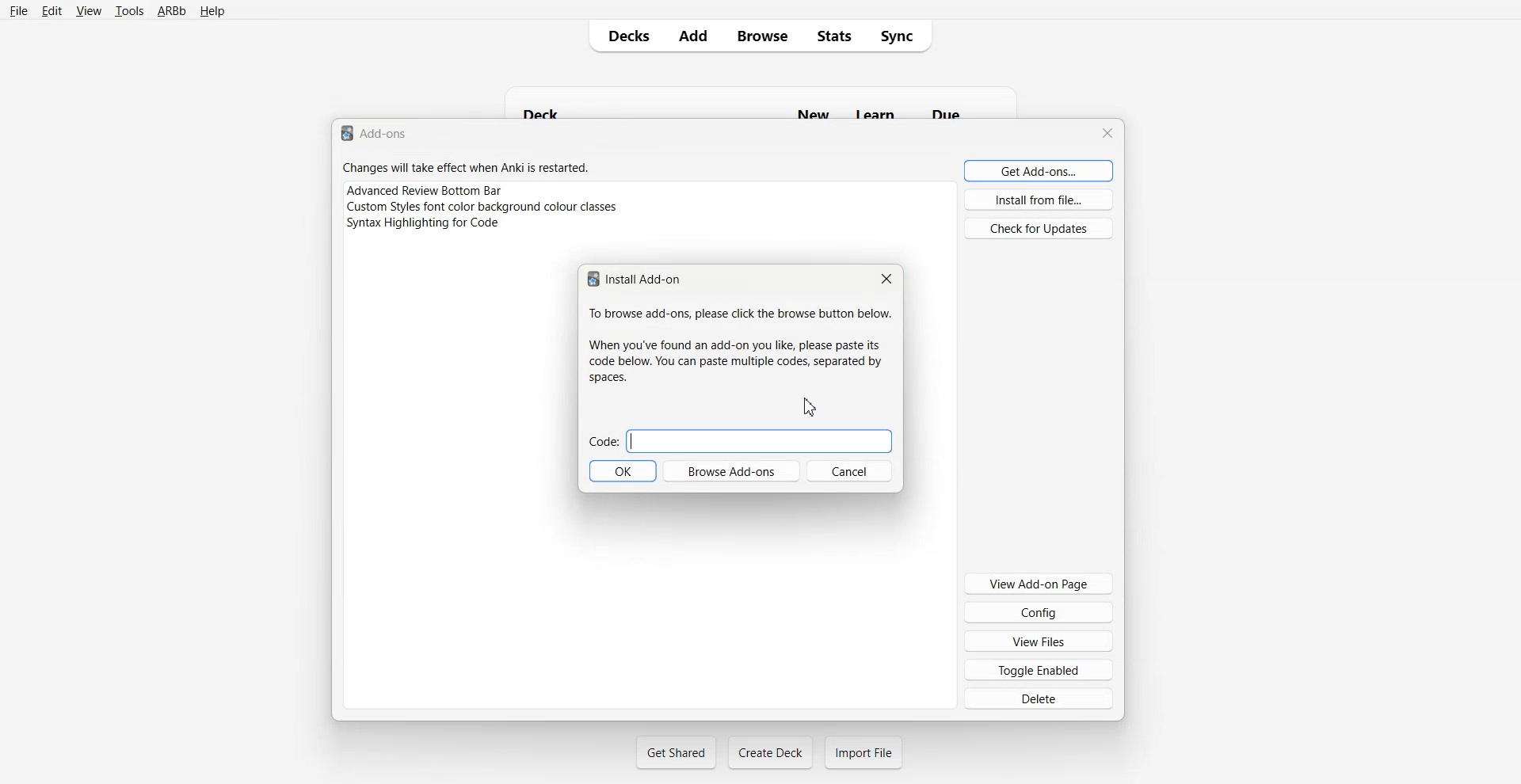  What do you see at coordinates (677, 751) in the screenshot?
I see `Get Shared` at bounding box center [677, 751].